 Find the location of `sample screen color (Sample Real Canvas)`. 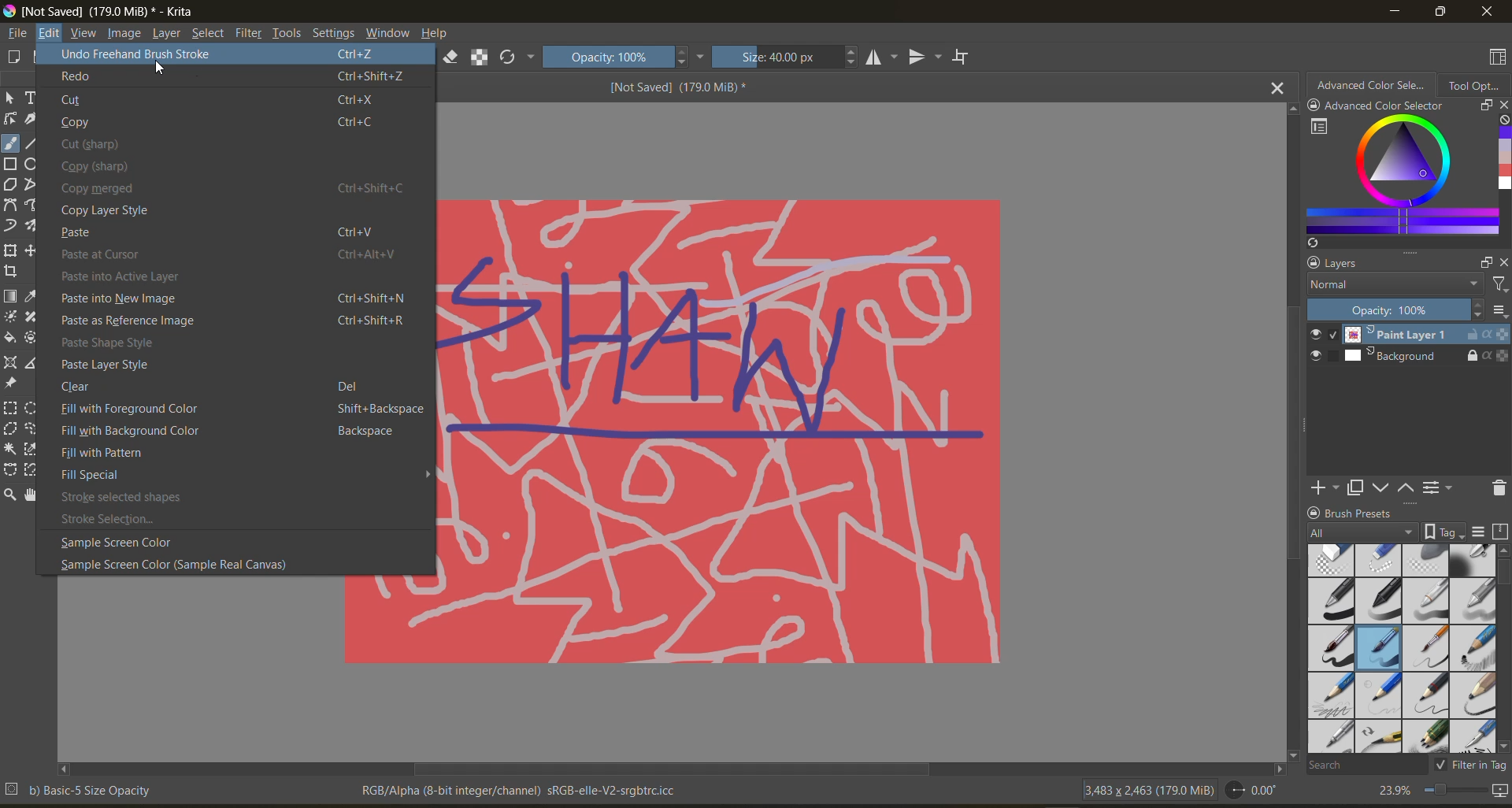

sample screen color (Sample Real Canvas) is located at coordinates (187, 565).